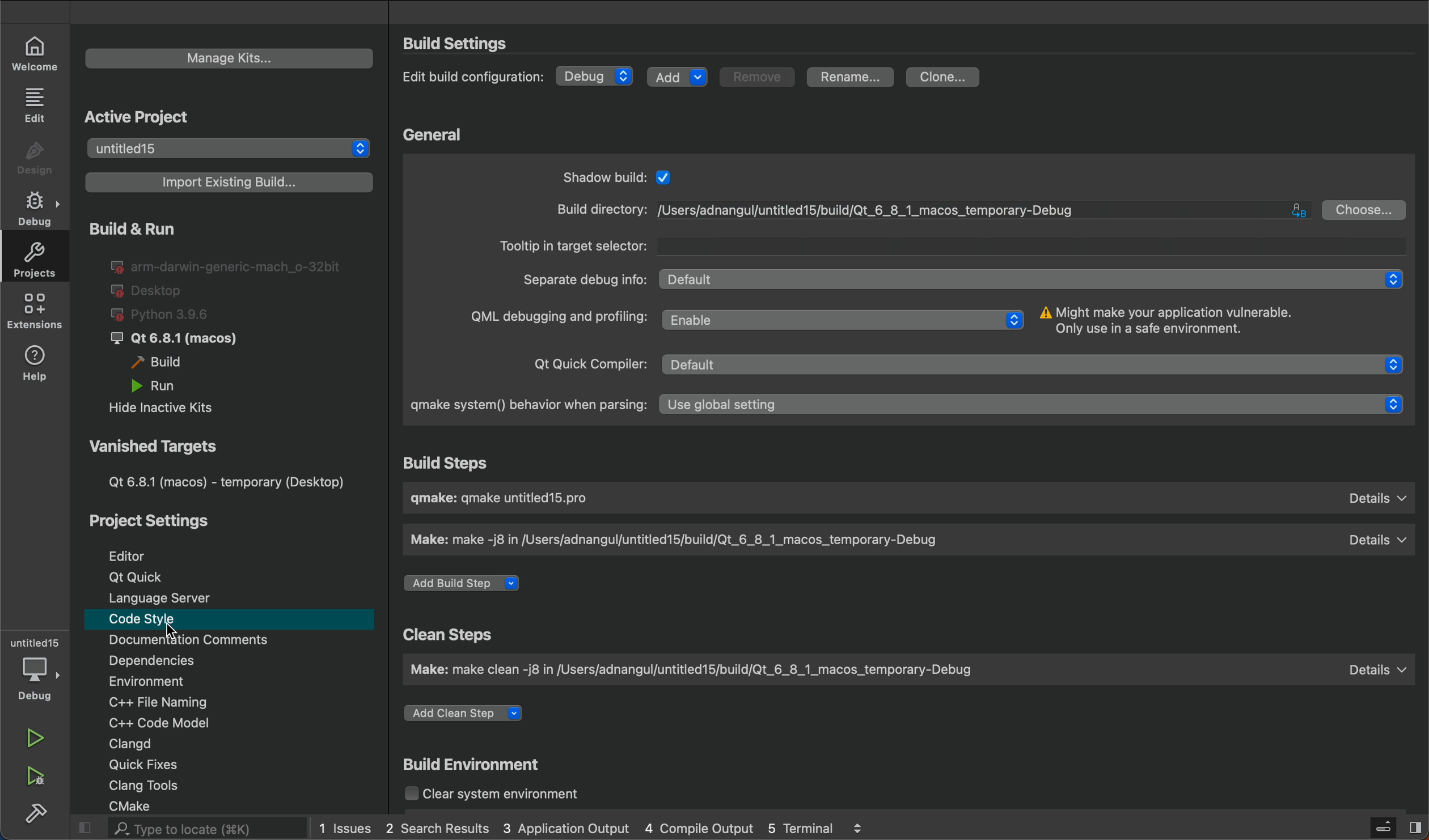 This screenshot has height=840, width=1429. I want to click on , so click(200, 642).